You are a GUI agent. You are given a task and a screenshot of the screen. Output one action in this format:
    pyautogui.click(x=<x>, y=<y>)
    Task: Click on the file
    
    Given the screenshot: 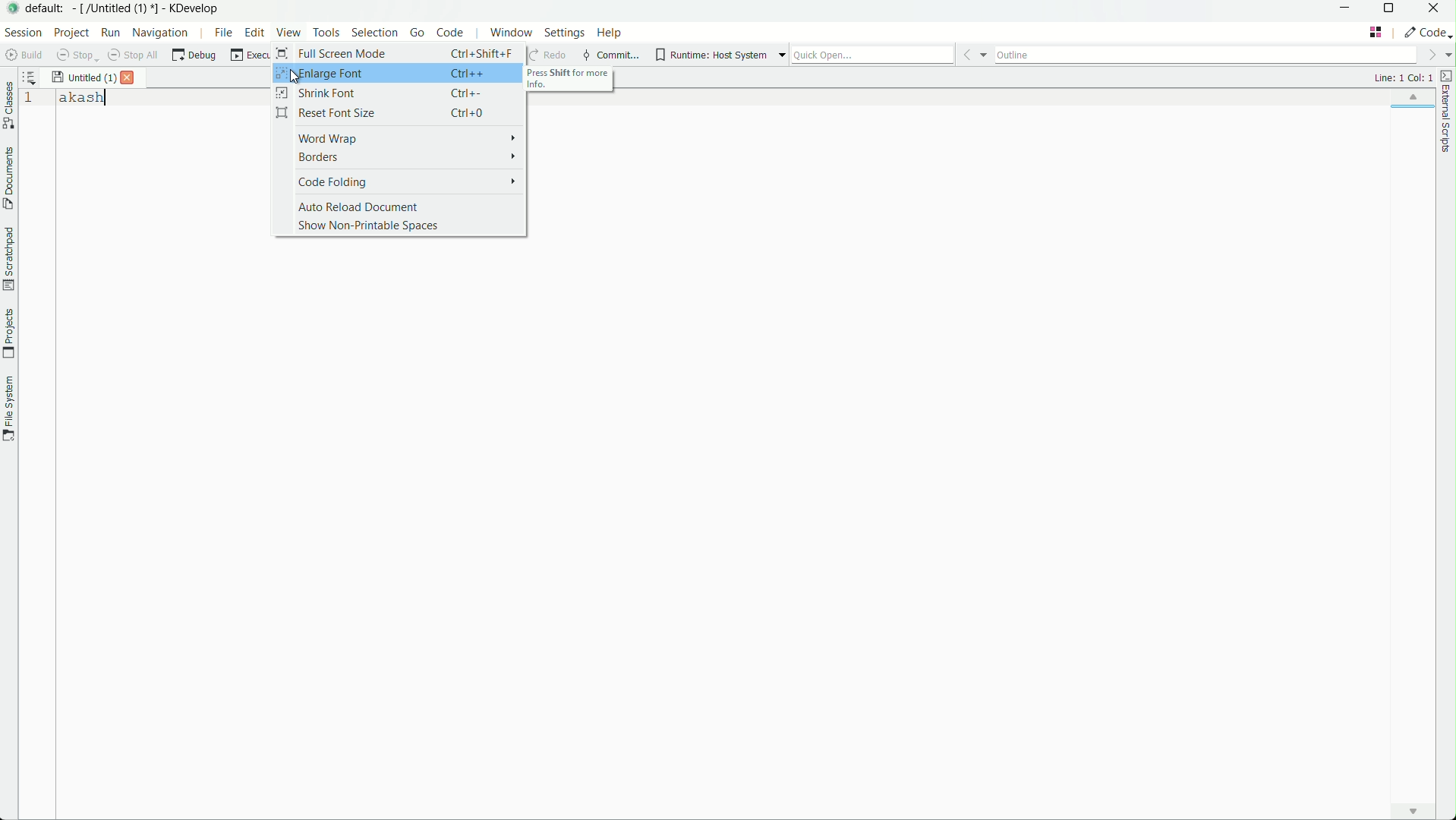 What is the action you would take?
    pyautogui.click(x=220, y=33)
    